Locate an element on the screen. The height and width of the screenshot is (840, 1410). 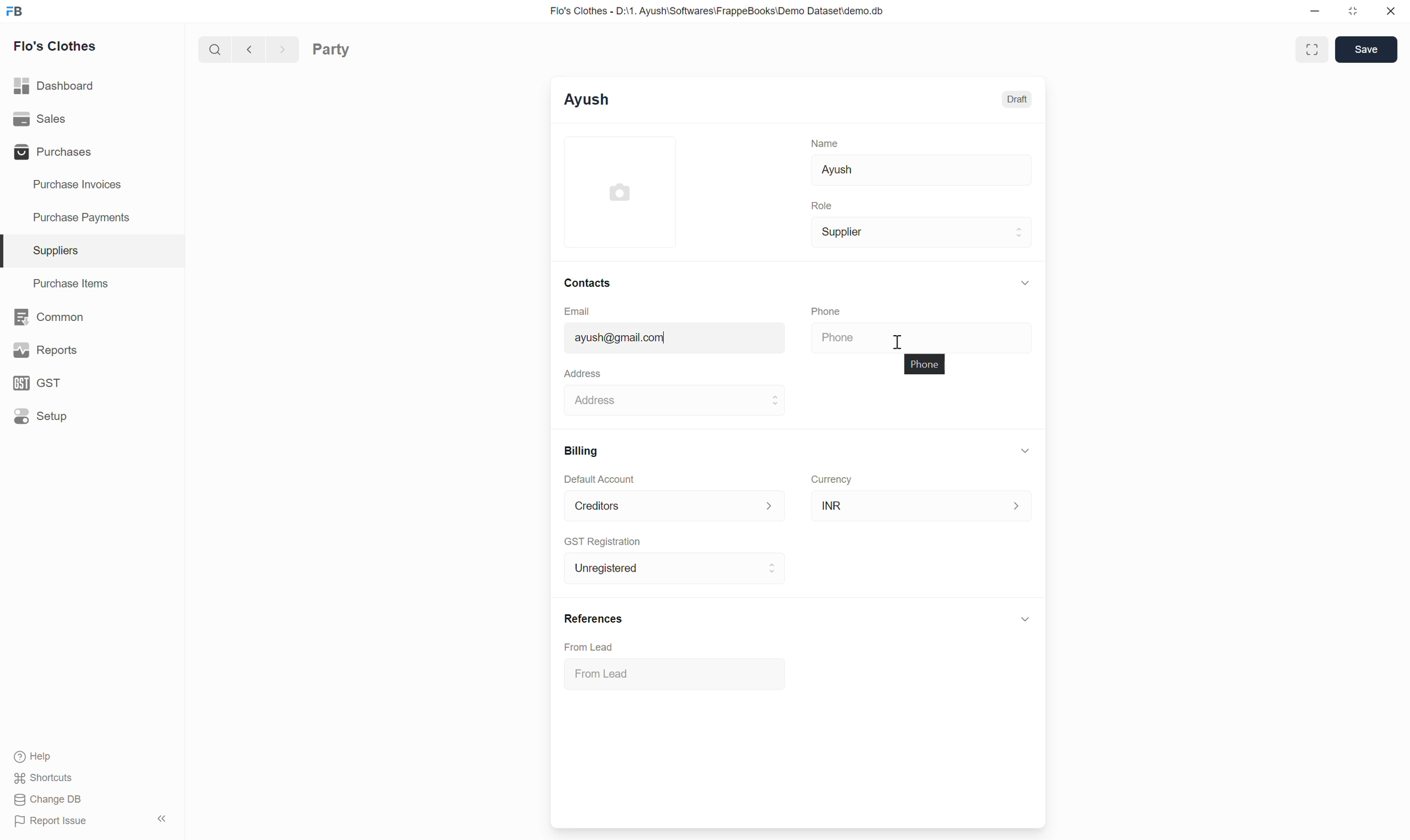
Cursor is located at coordinates (900, 340).